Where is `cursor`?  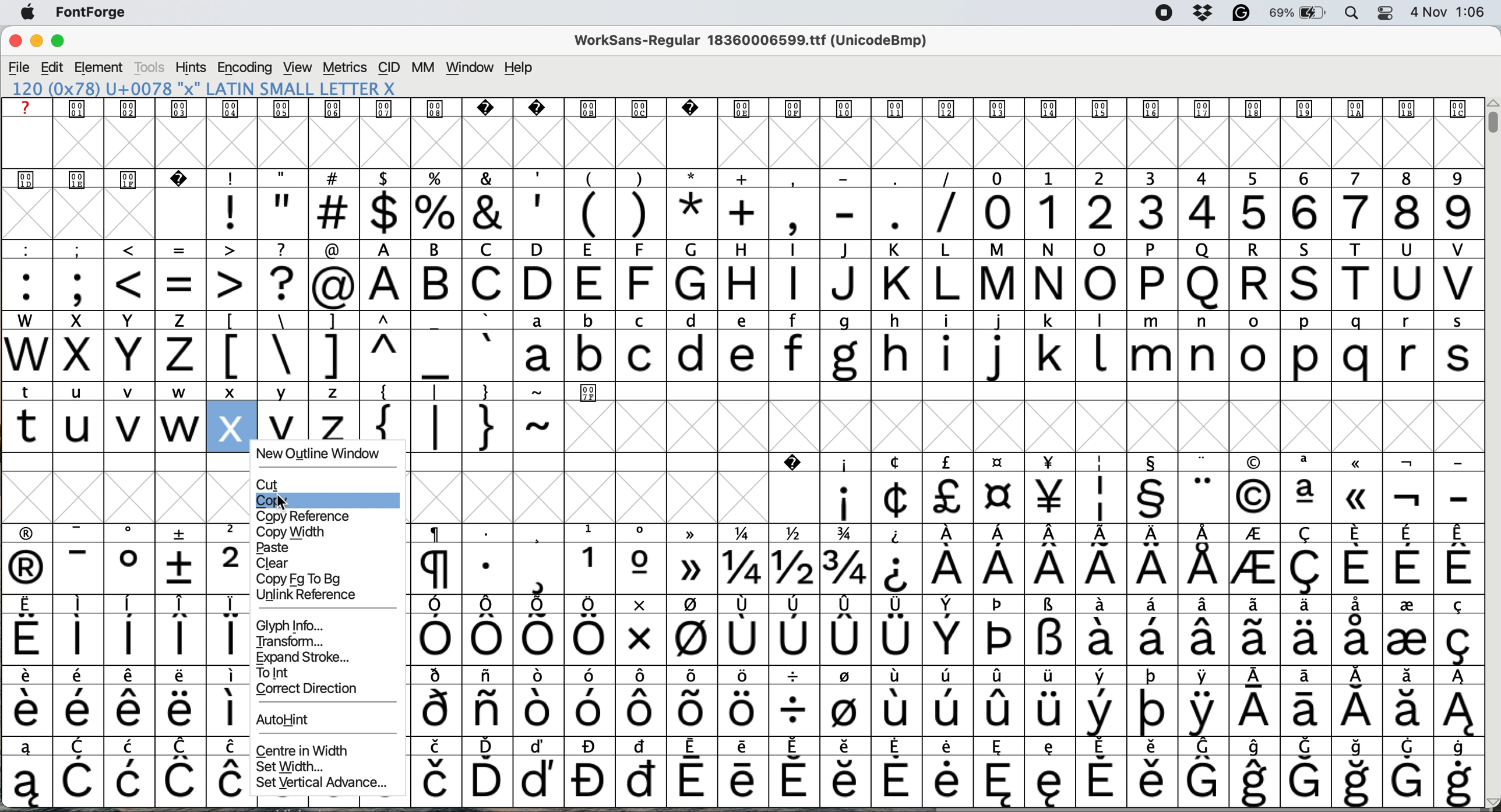 cursor is located at coordinates (283, 502).